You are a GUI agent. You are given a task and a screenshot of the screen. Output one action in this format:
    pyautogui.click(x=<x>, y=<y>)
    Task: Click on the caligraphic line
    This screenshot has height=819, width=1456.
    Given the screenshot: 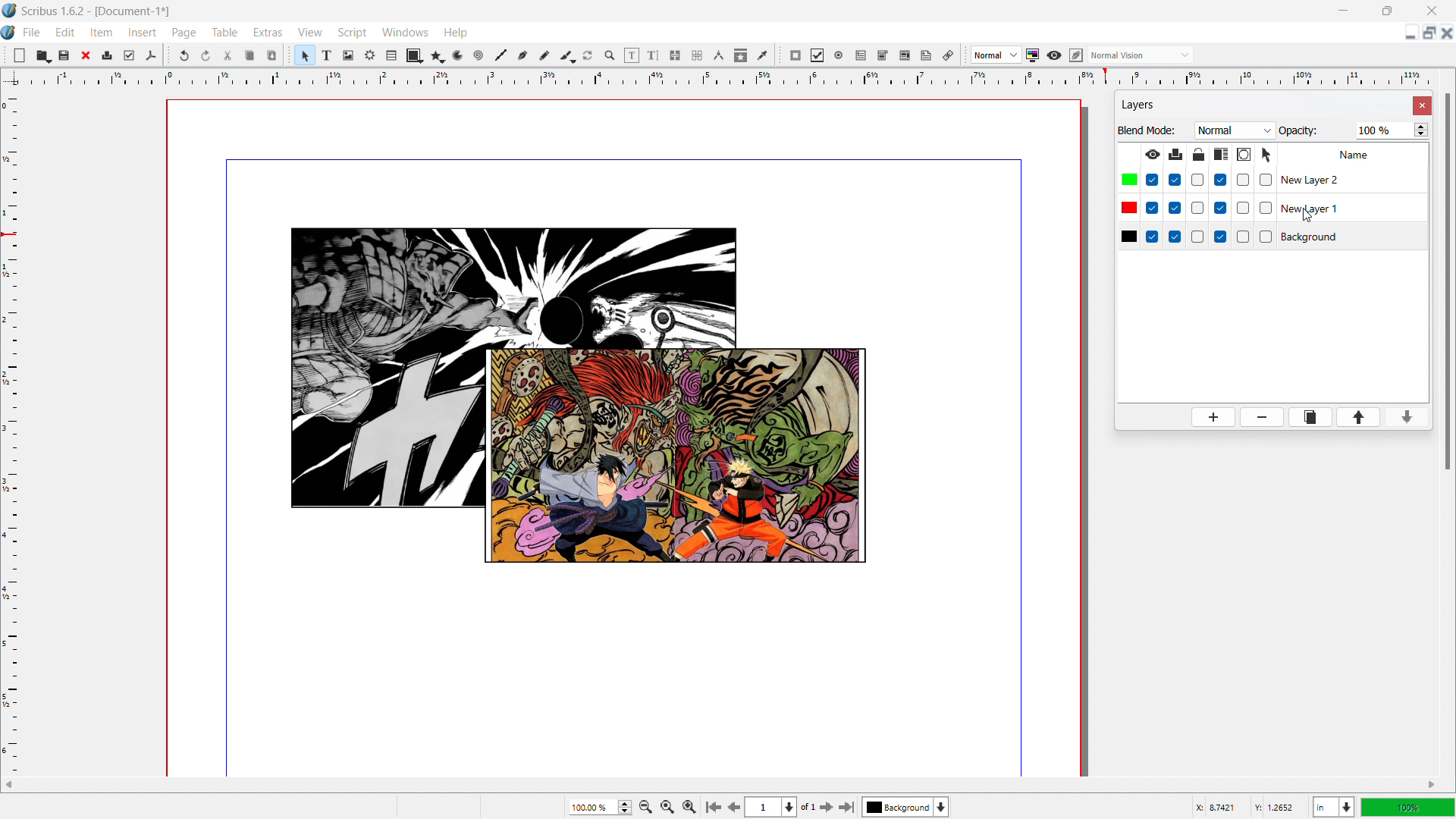 What is the action you would take?
    pyautogui.click(x=566, y=55)
    